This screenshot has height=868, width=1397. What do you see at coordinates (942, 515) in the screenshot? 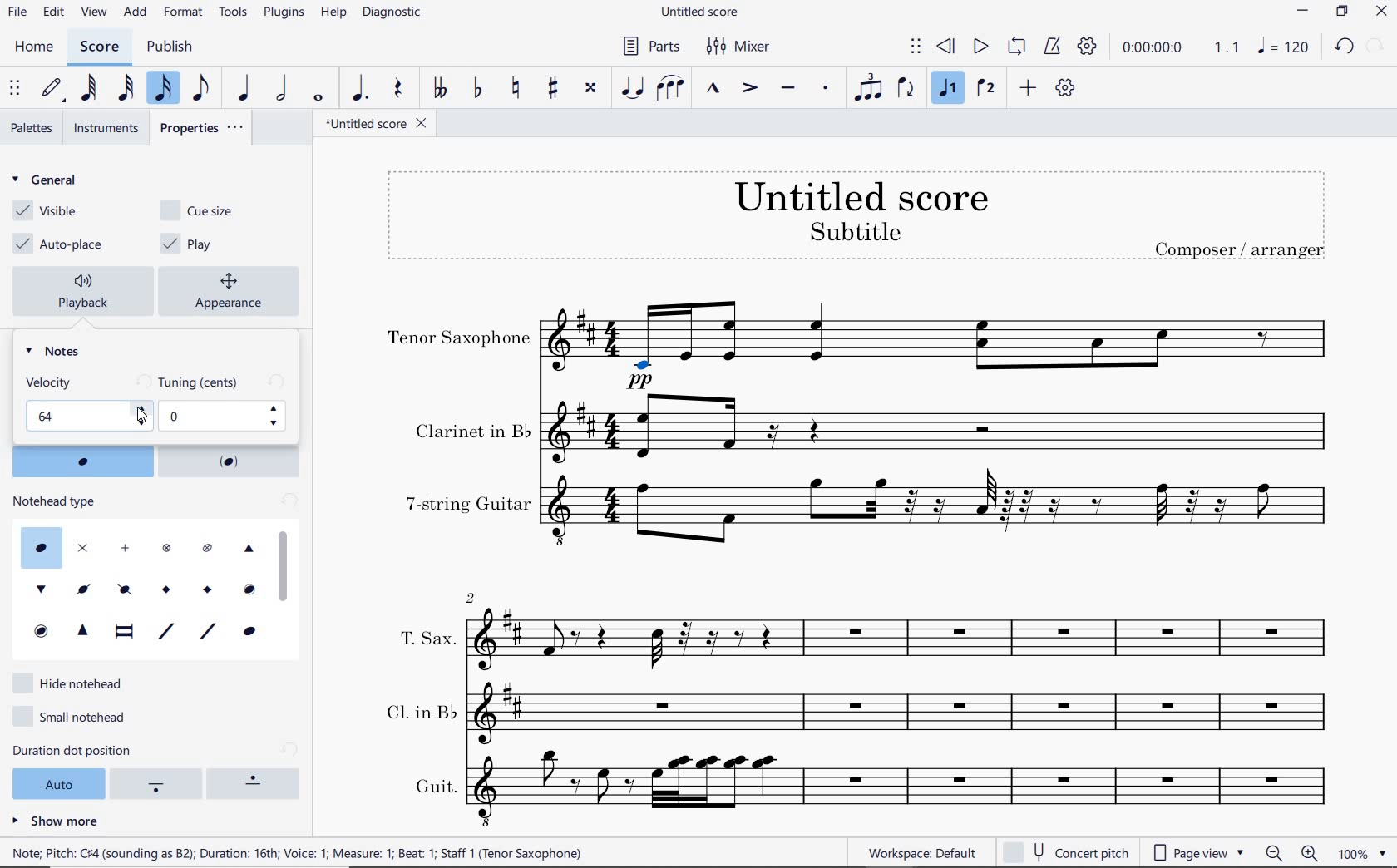
I see `7-string guitar` at bounding box center [942, 515].